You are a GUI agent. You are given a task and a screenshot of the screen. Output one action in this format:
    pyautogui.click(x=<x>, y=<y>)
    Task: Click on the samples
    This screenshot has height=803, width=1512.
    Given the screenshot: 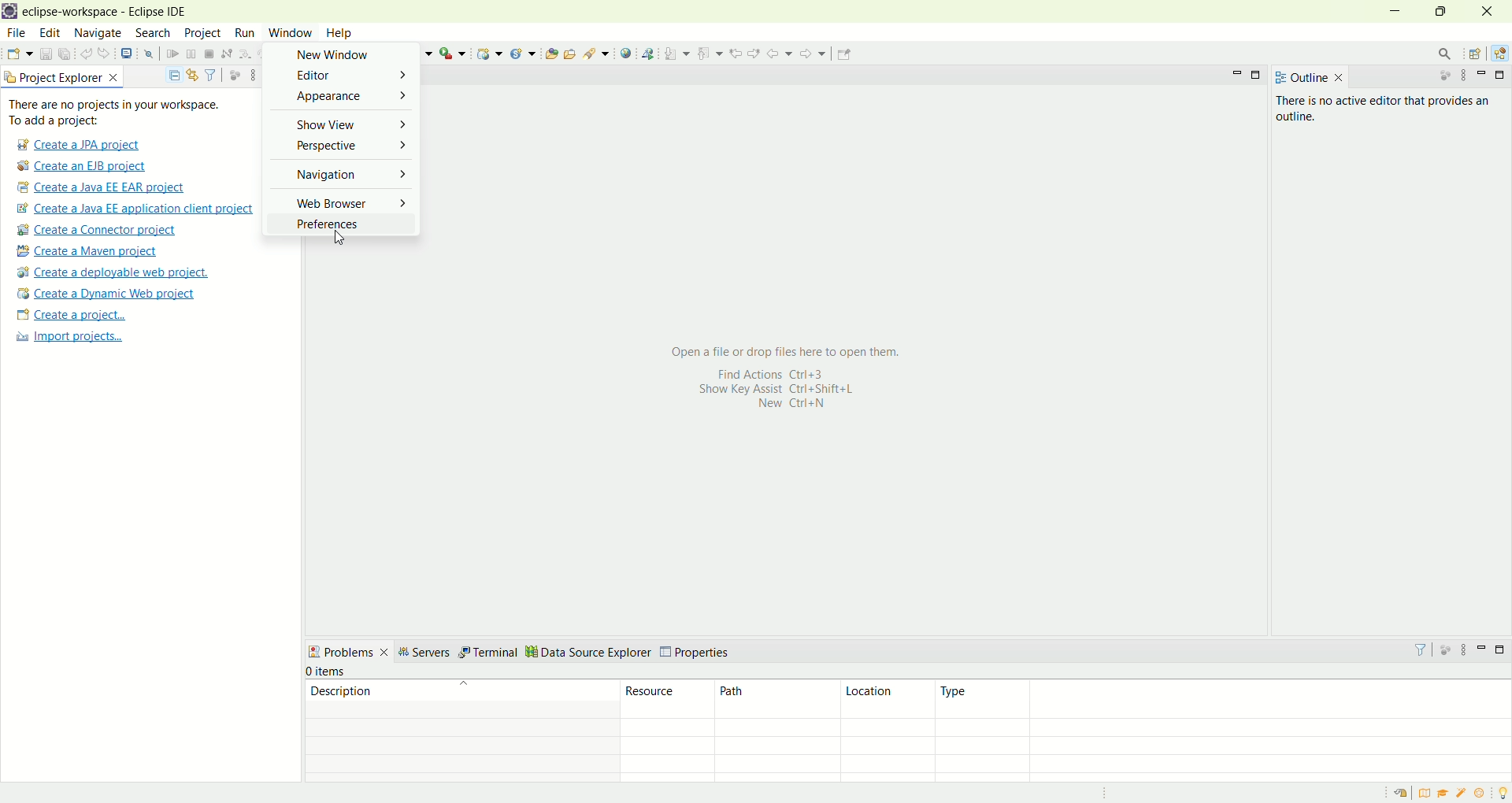 What is the action you would take?
    pyautogui.click(x=1463, y=793)
    